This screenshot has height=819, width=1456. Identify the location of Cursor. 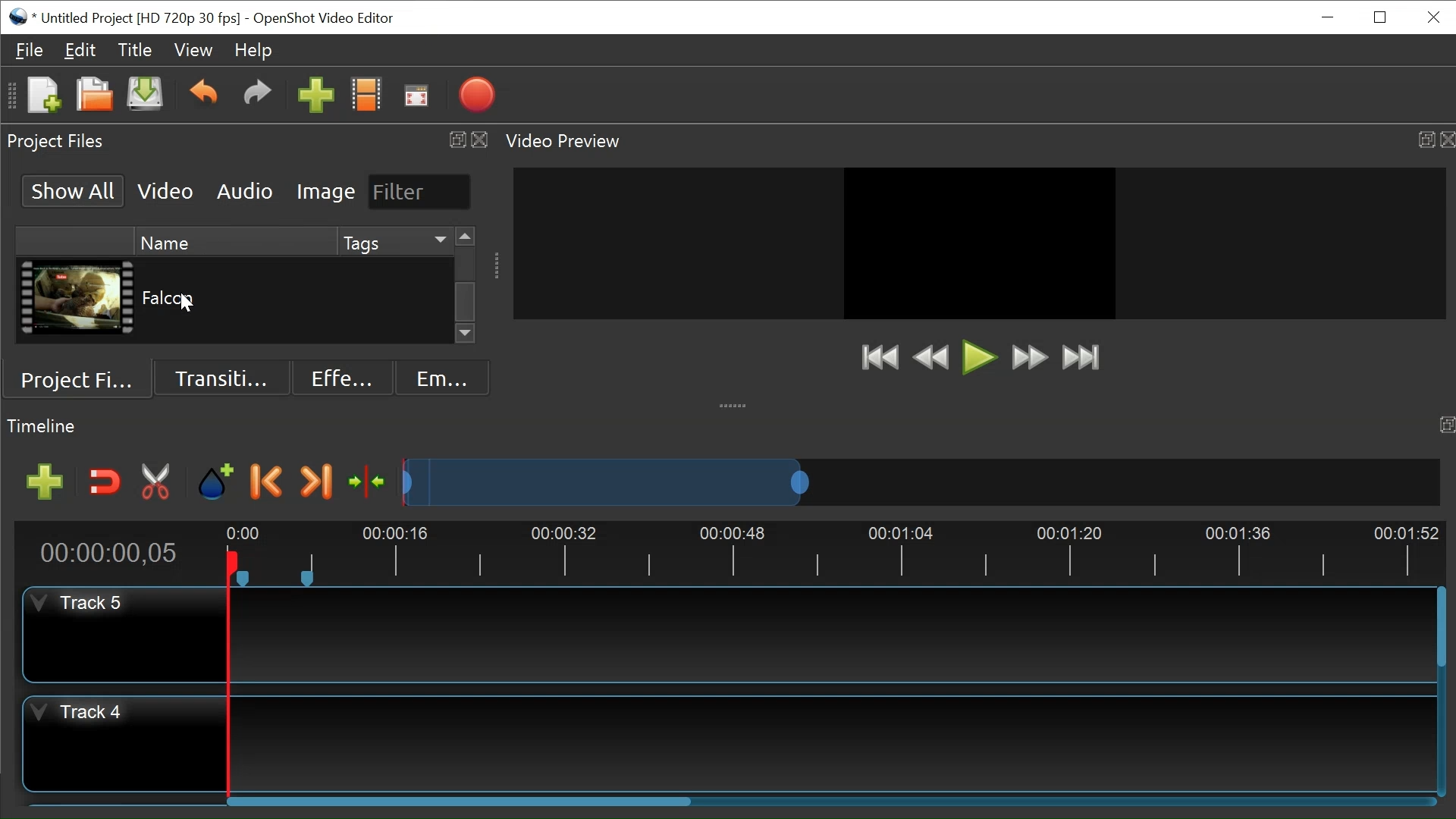
(189, 306).